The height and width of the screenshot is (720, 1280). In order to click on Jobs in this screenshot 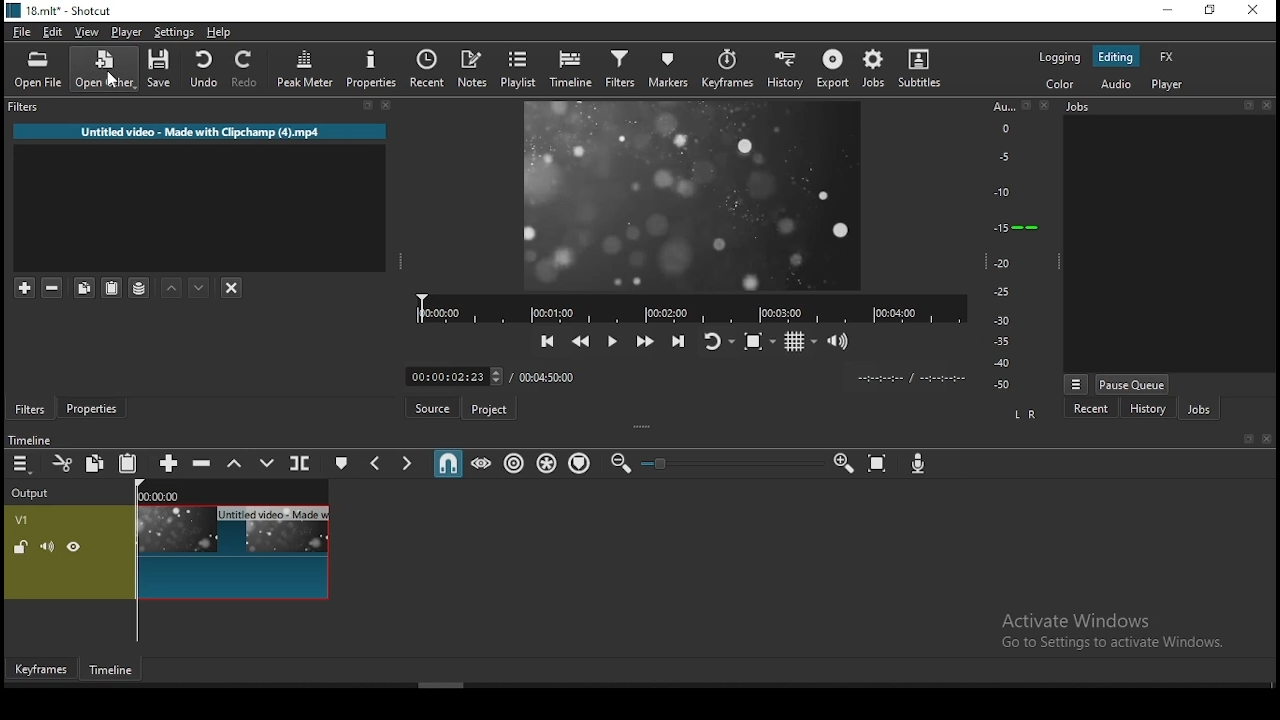, I will do `click(1165, 108)`.